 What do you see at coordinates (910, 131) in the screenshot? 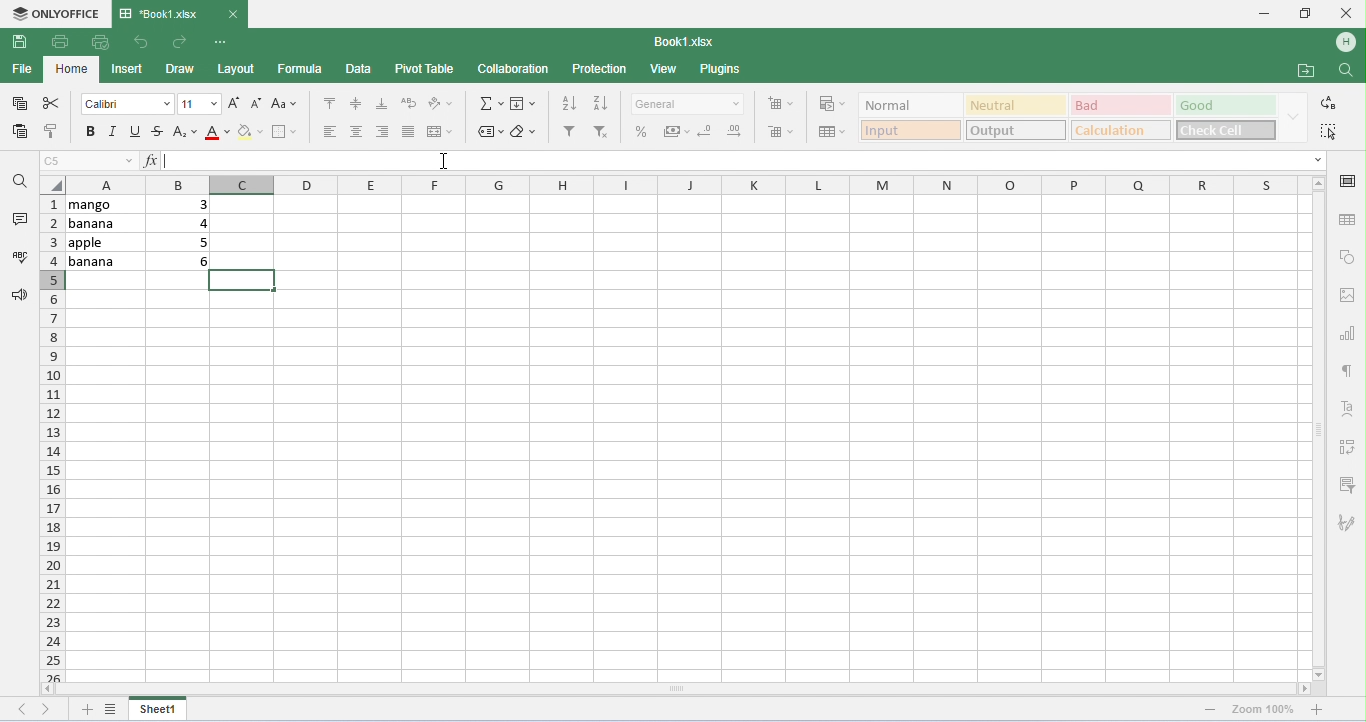
I see `input` at bounding box center [910, 131].